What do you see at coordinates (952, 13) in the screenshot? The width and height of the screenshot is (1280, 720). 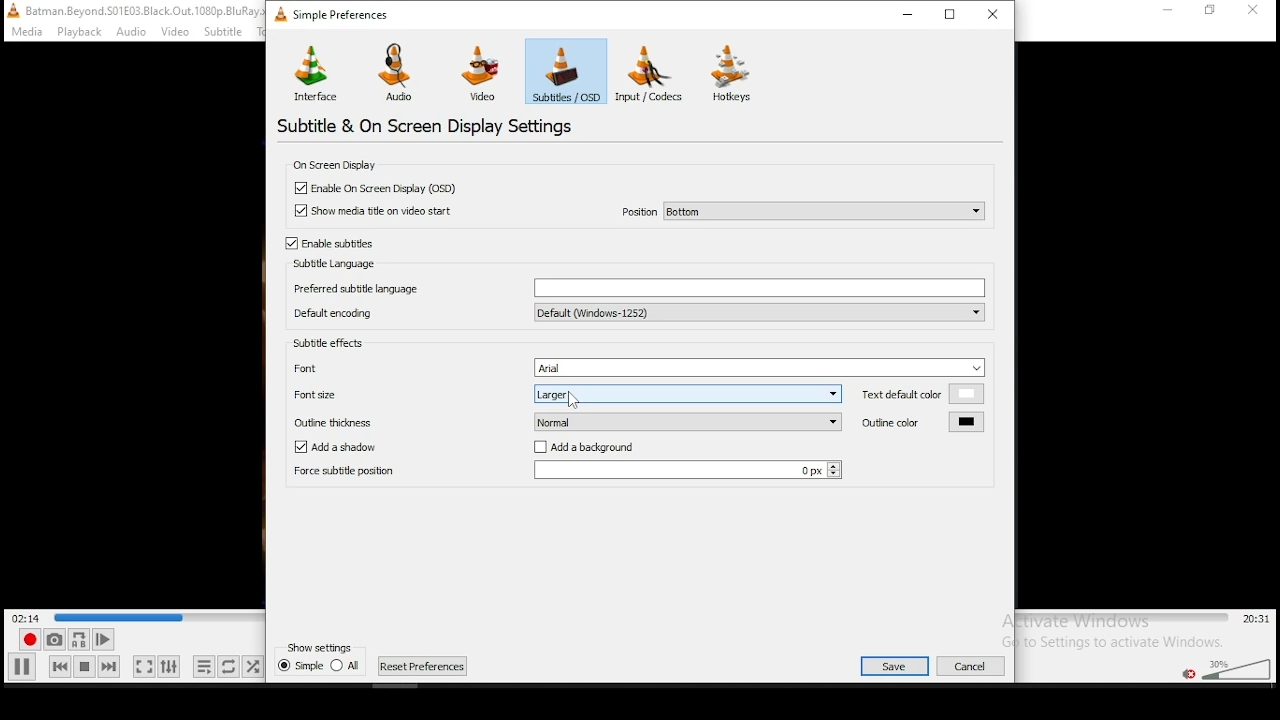 I see `maximize` at bounding box center [952, 13].